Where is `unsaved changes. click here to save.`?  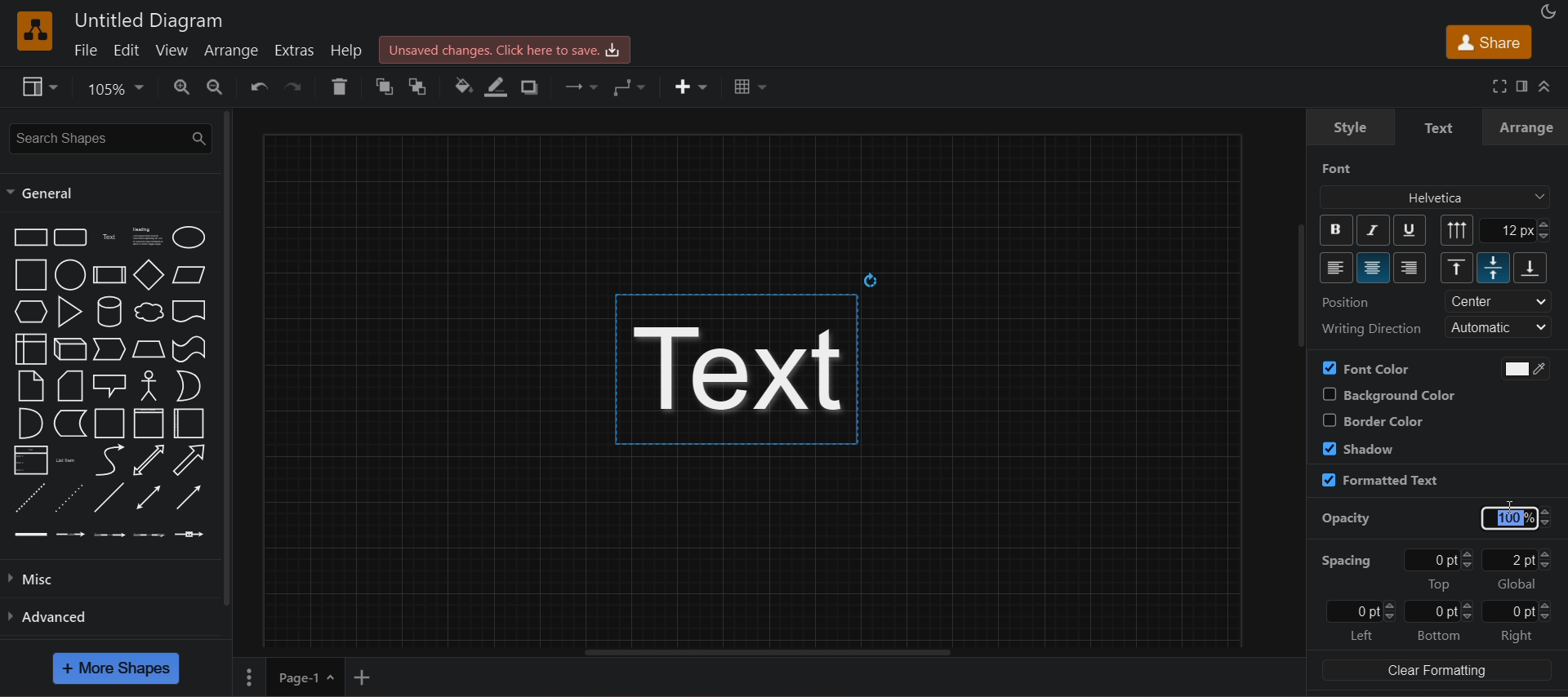 unsaved changes. click here to save. is located at coordinates (506, 50).